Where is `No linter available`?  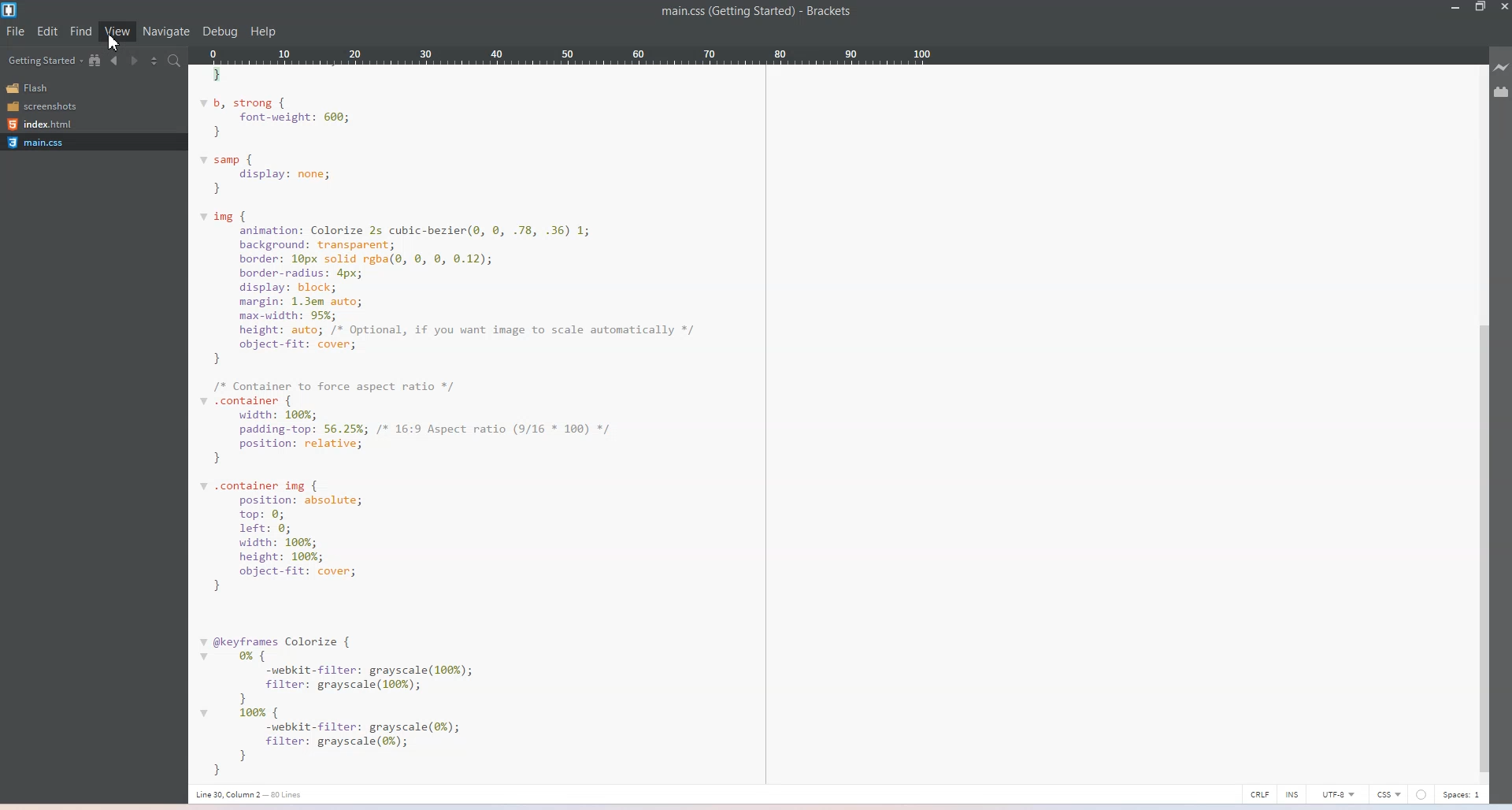 No linter available is located at coordinates (1424, 795).